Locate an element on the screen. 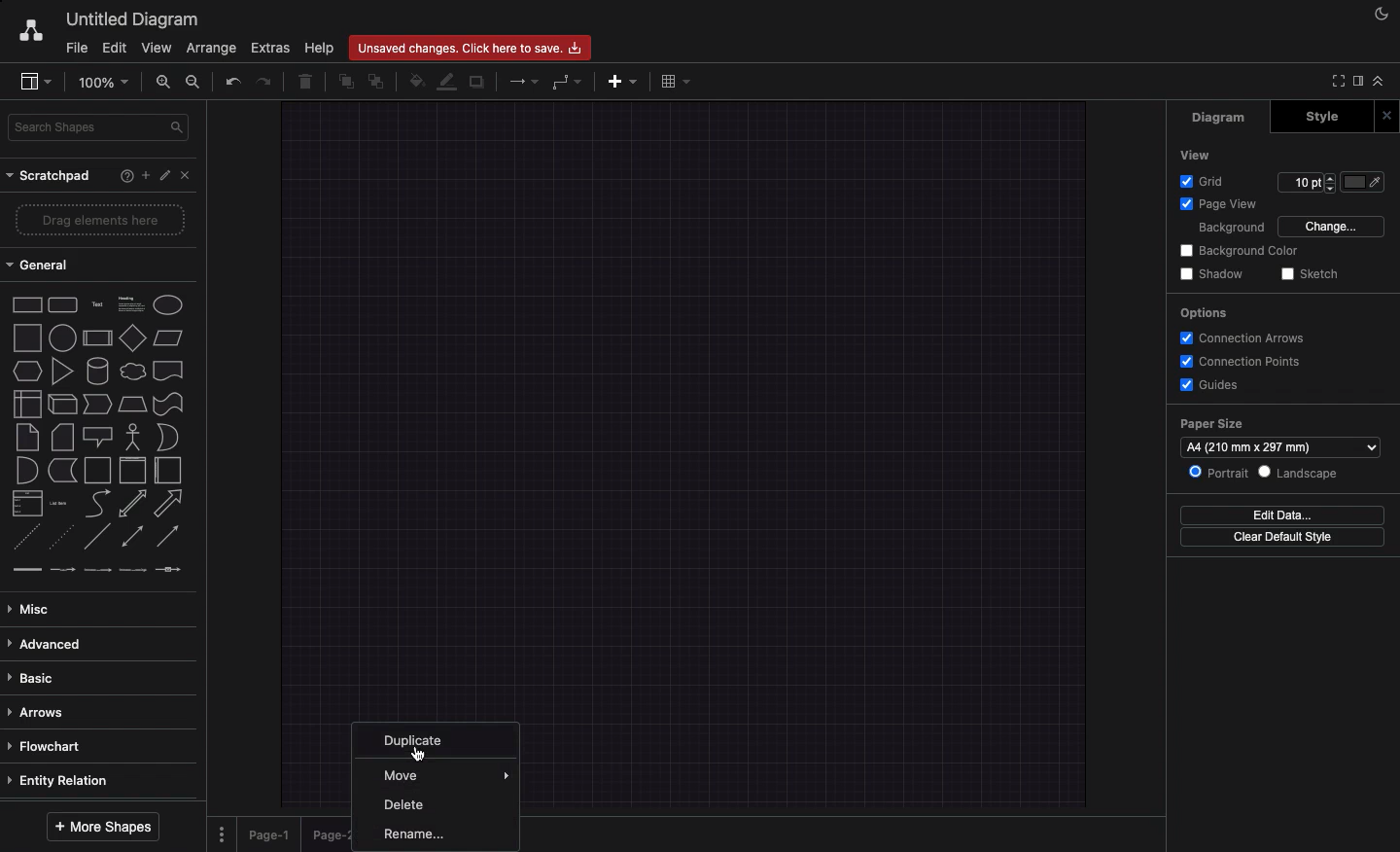 The width and height of the screenshot is (1400, 852). Options is located at coordinates (219, 831).